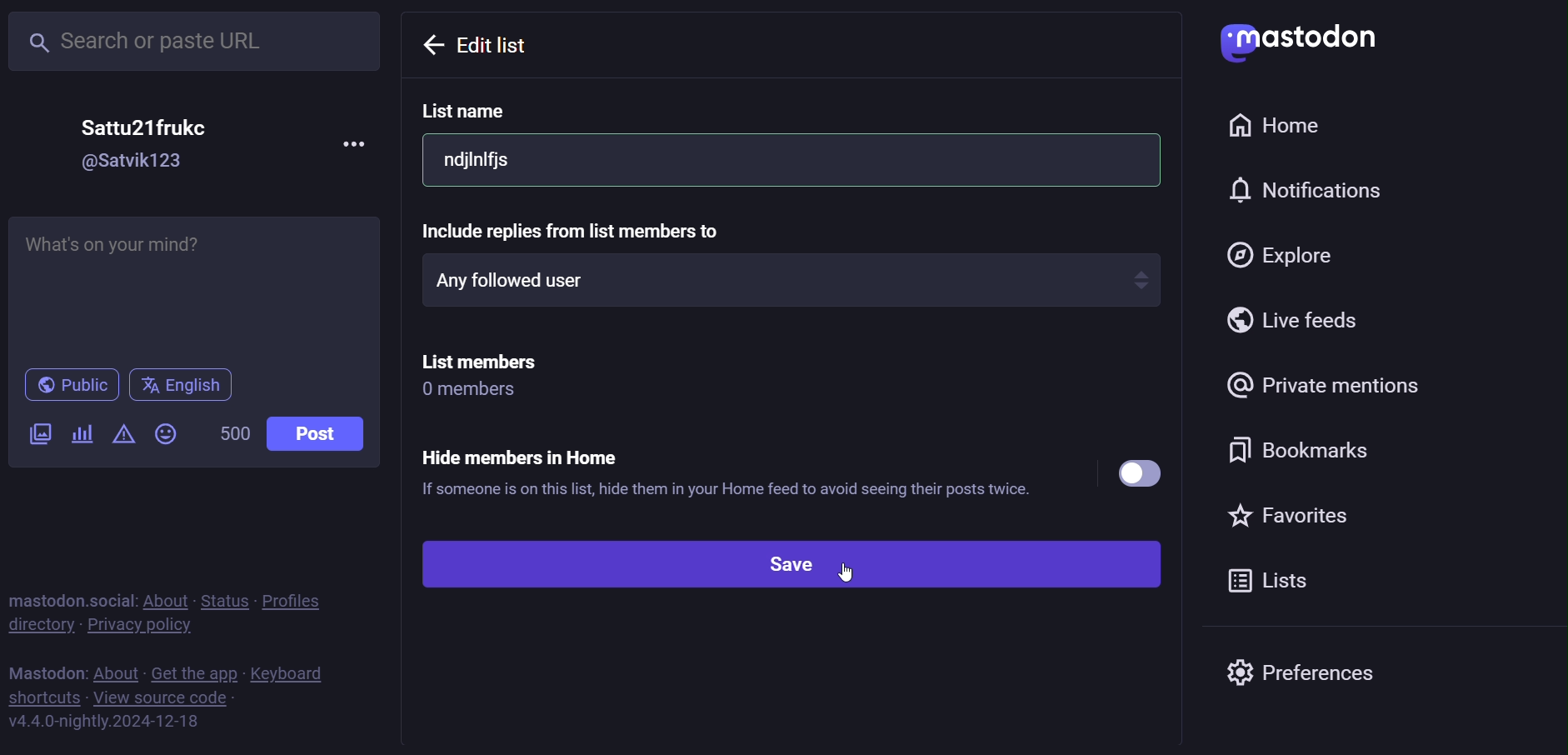 Image resolution: width=1568 pixels, height=755 pixels. Describe the element at coordinates (1301, 516) in the screenshot. I see `favorite` at that location.